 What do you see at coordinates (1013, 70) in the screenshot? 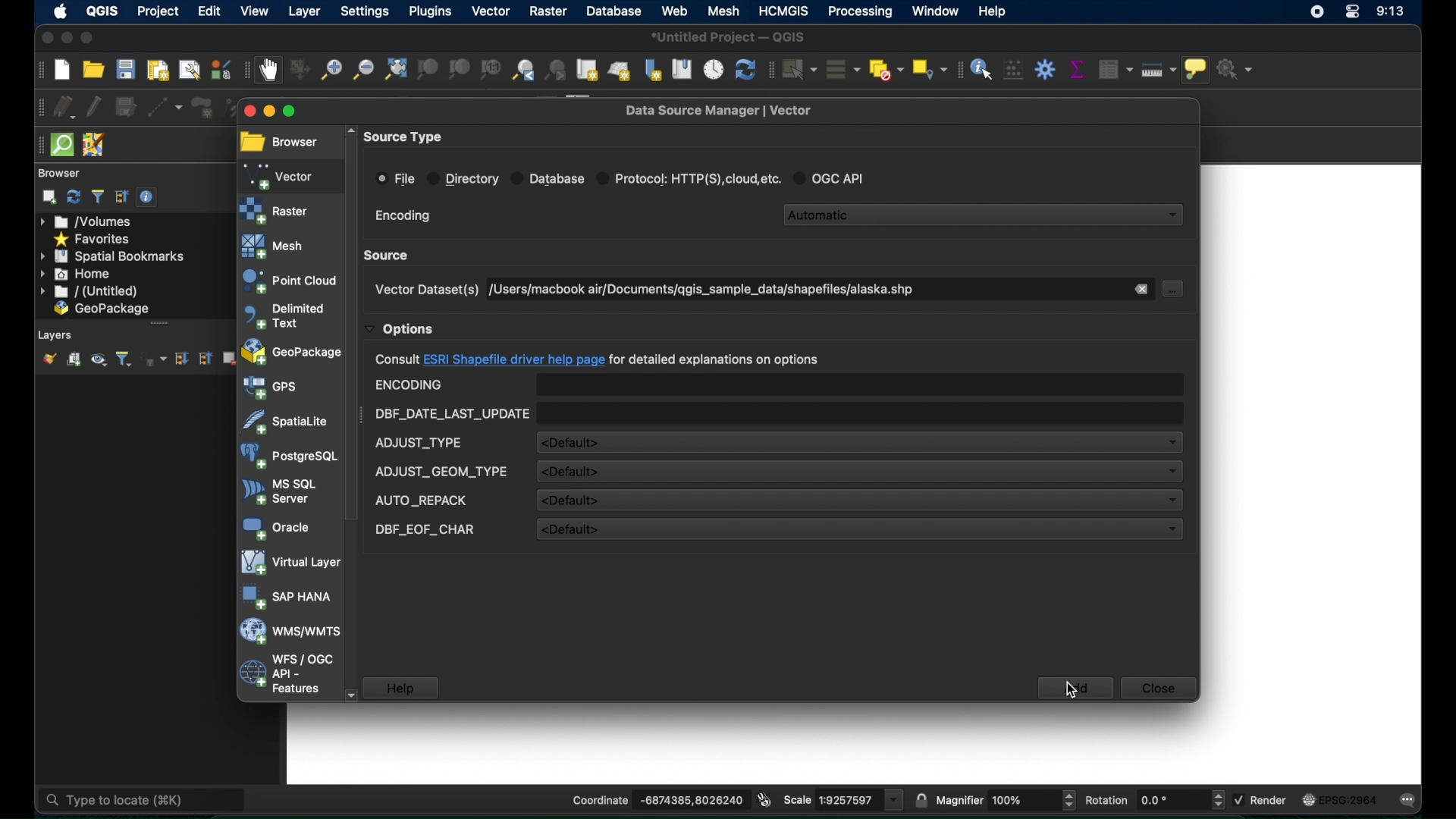
I see `open field calculator` at bounding box center [1013, 70].